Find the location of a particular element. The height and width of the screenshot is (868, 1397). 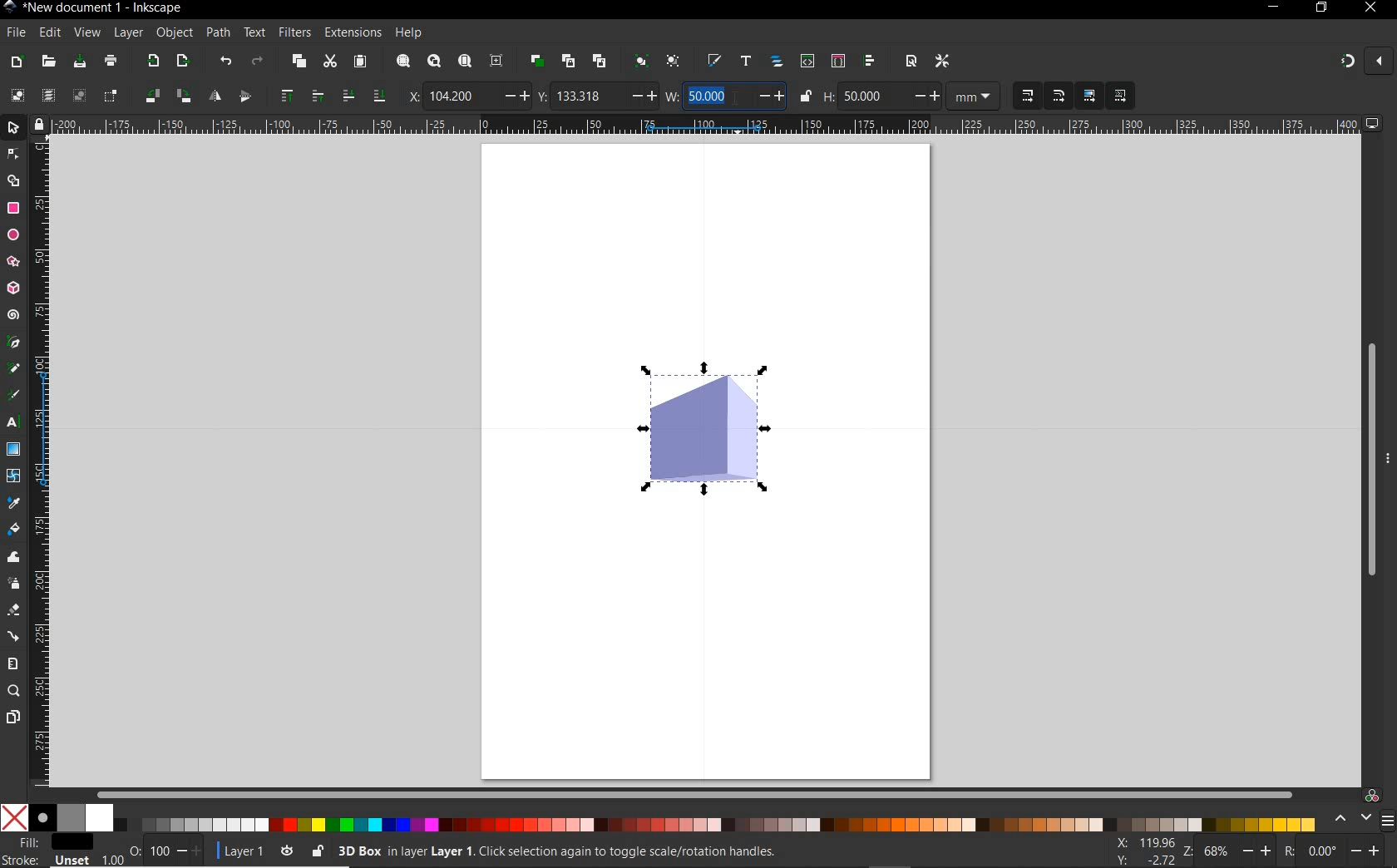

cut is located at coordinates (329, 61).